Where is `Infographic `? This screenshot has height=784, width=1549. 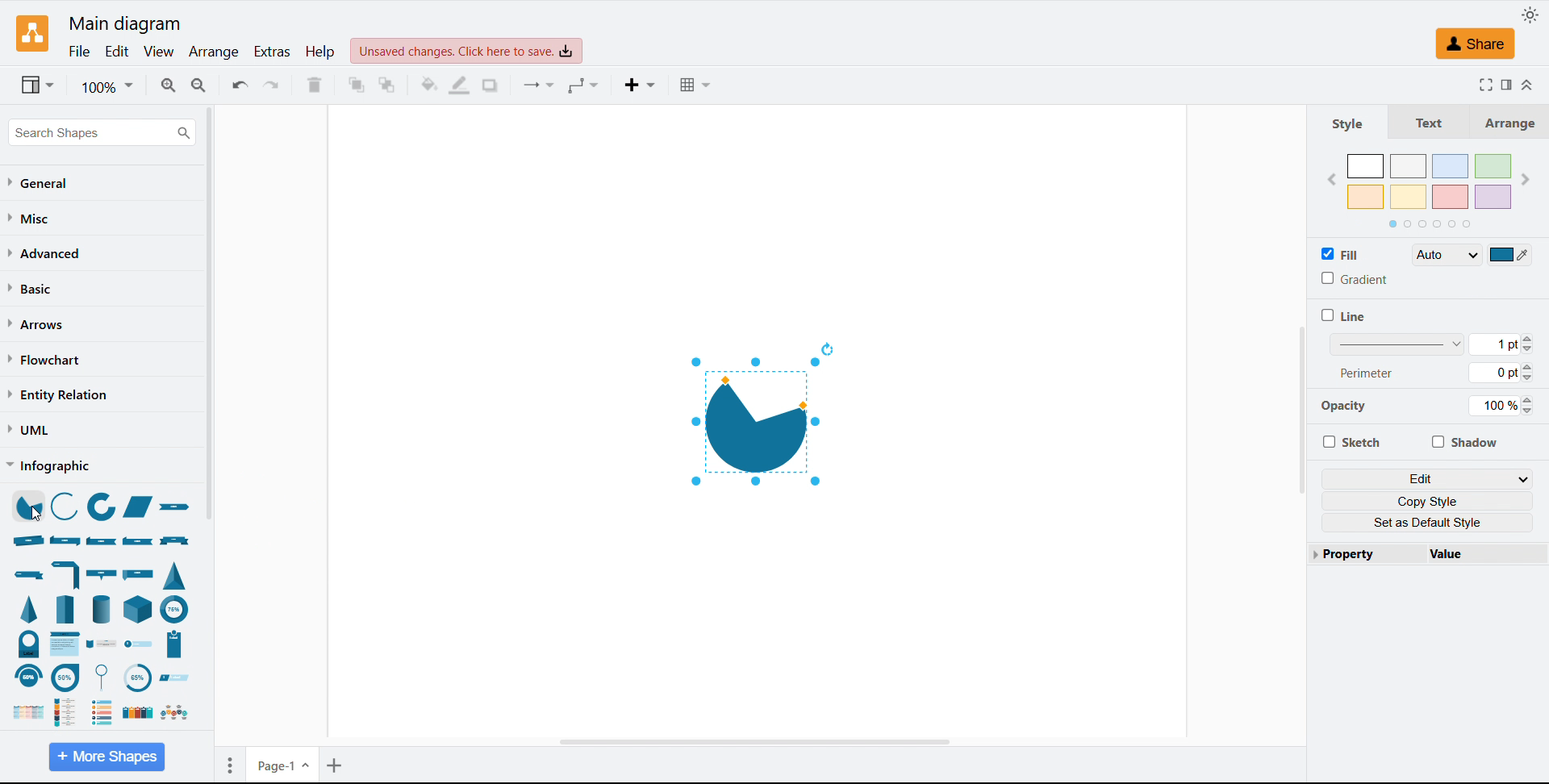 Infographic  is located at coordinates (47, 465).